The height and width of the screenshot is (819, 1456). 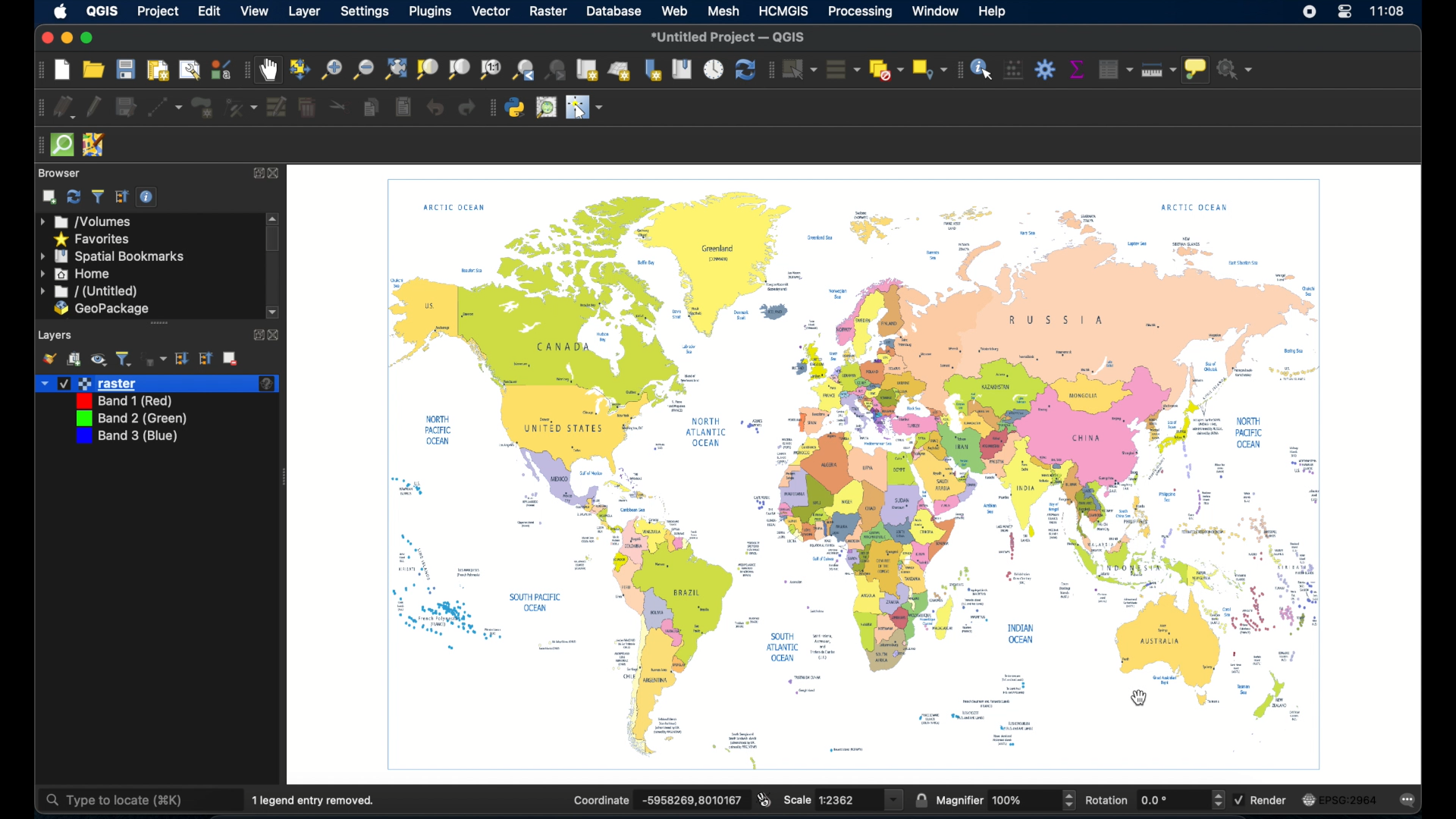 What do you see at coordinates (402, 105) in the screenshot?
I see `paste features` at bounding box center [402, 105].